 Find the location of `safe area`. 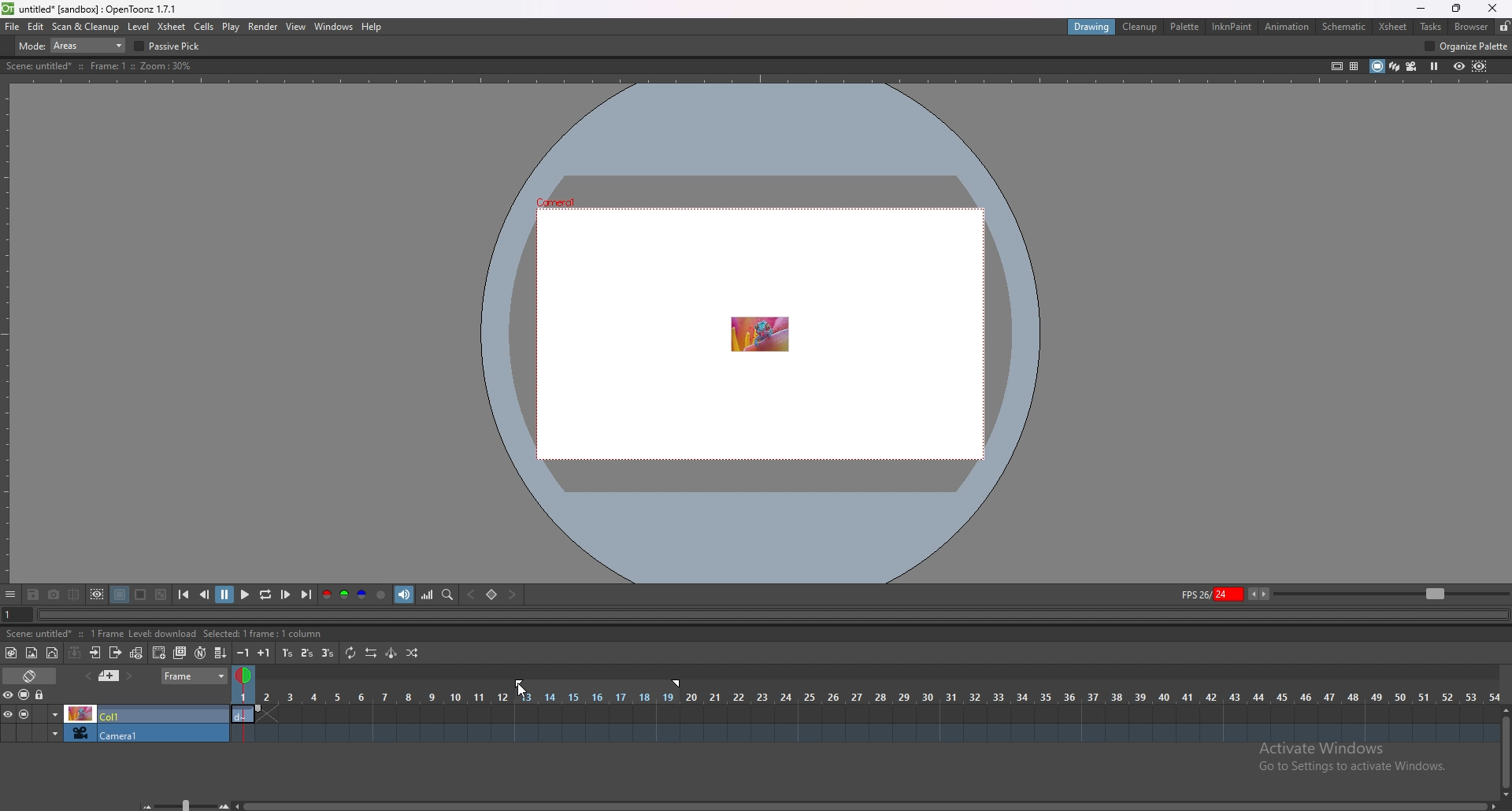

safe area is located at coordinates (1338, 66).